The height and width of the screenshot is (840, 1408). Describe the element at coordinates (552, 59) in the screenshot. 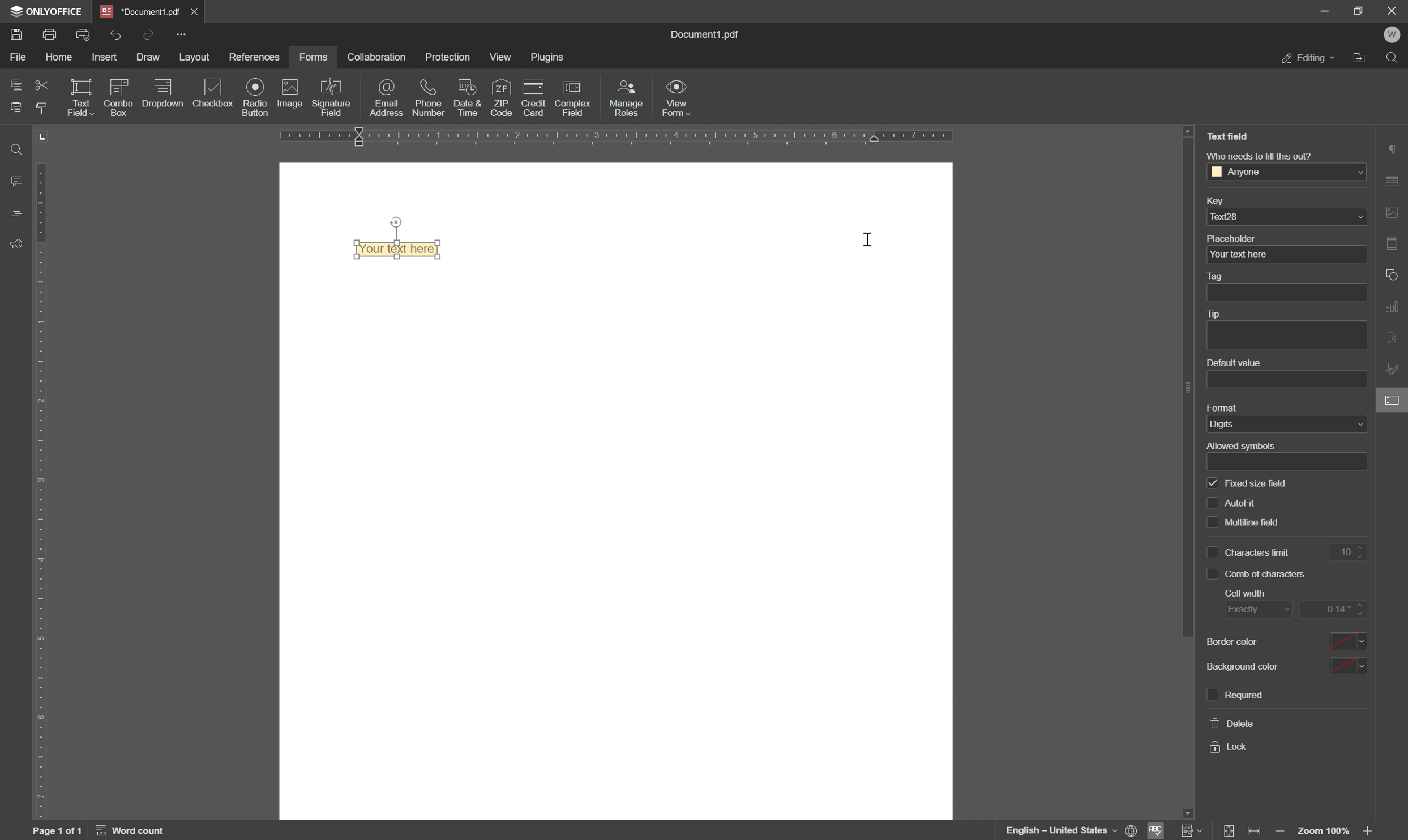

I see `plugins` at that location.